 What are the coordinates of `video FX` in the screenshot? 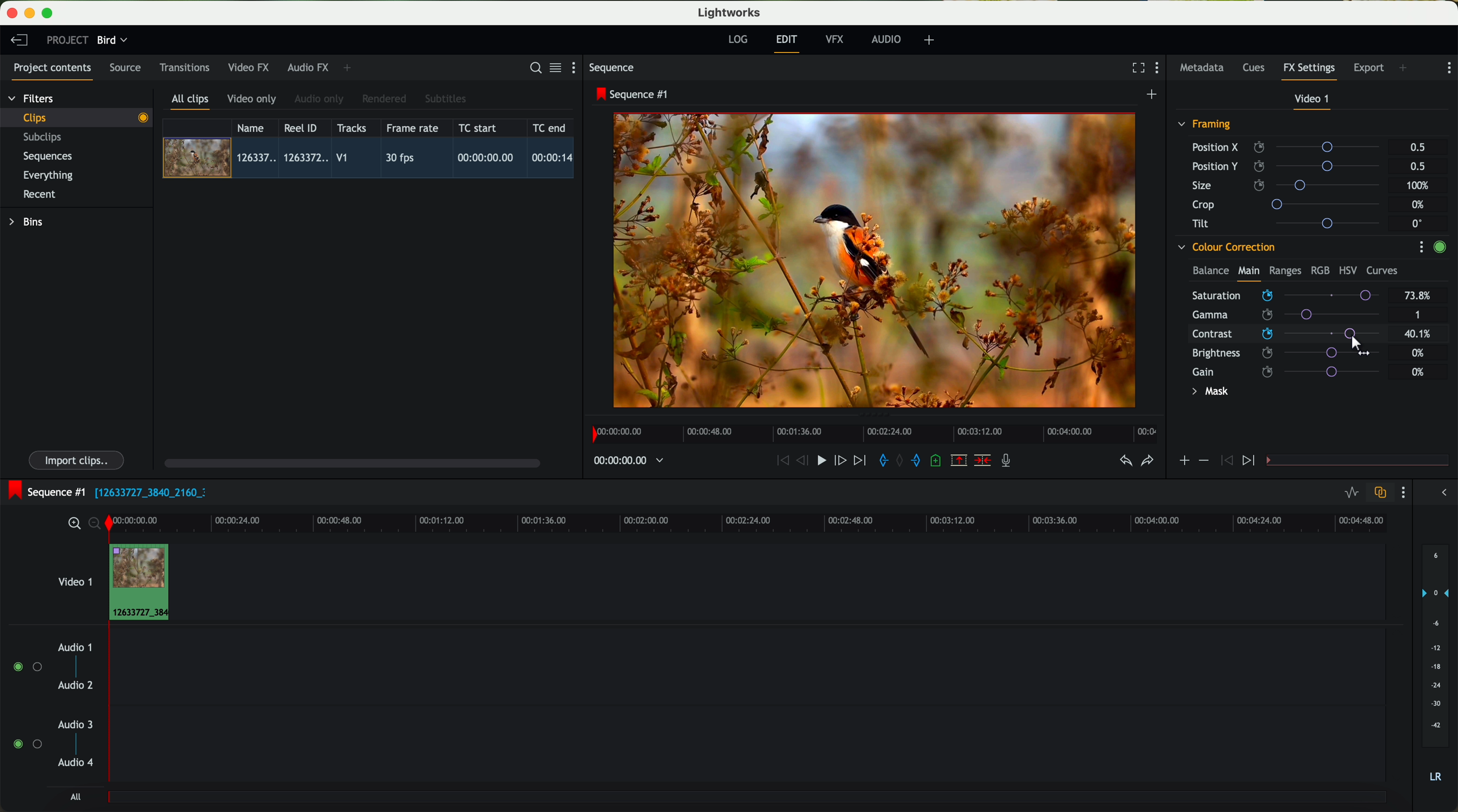 It's located at (251, 67).